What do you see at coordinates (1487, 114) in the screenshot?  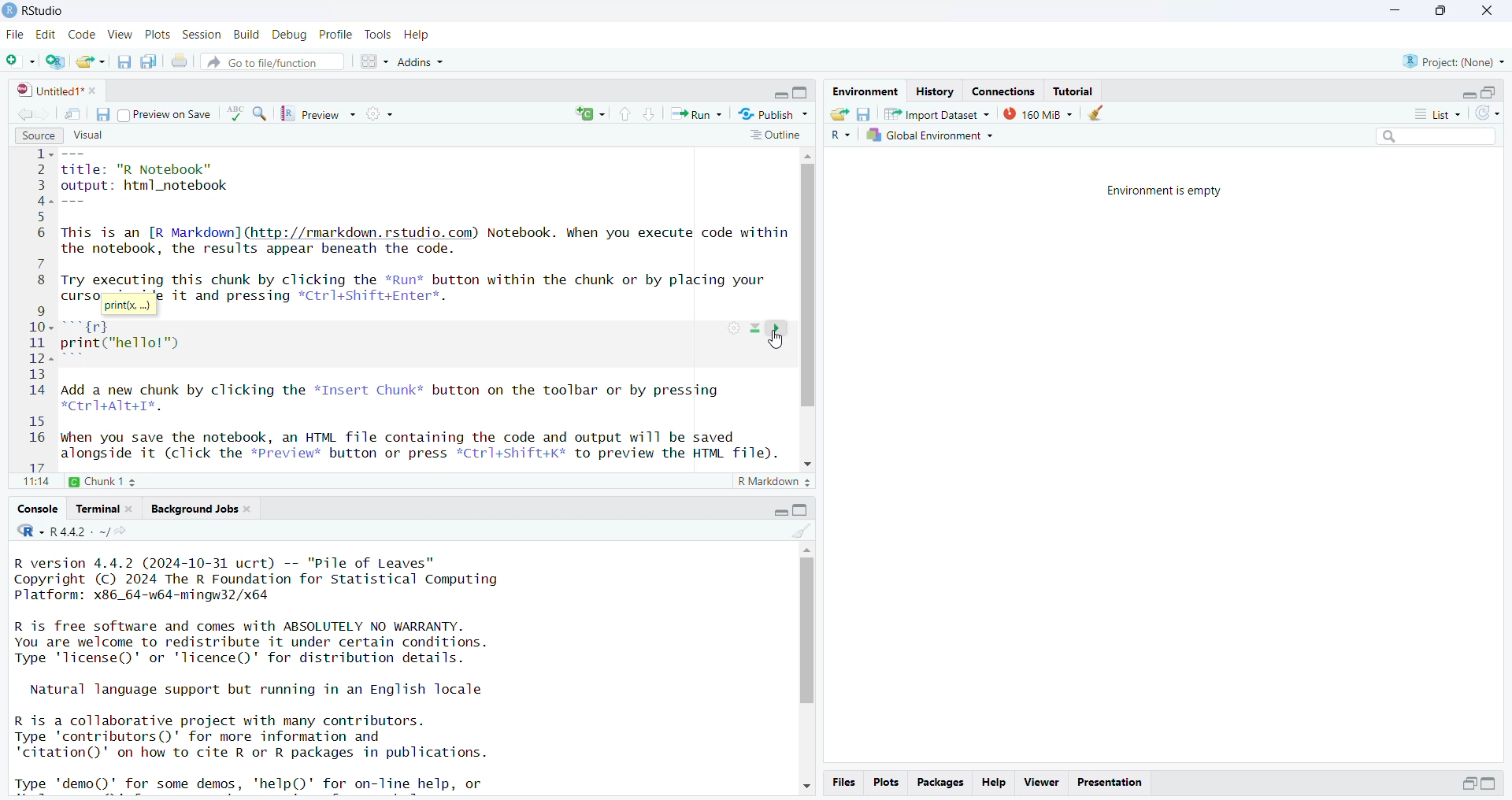 I see `refresh list` at bounding box center [1487, 114].